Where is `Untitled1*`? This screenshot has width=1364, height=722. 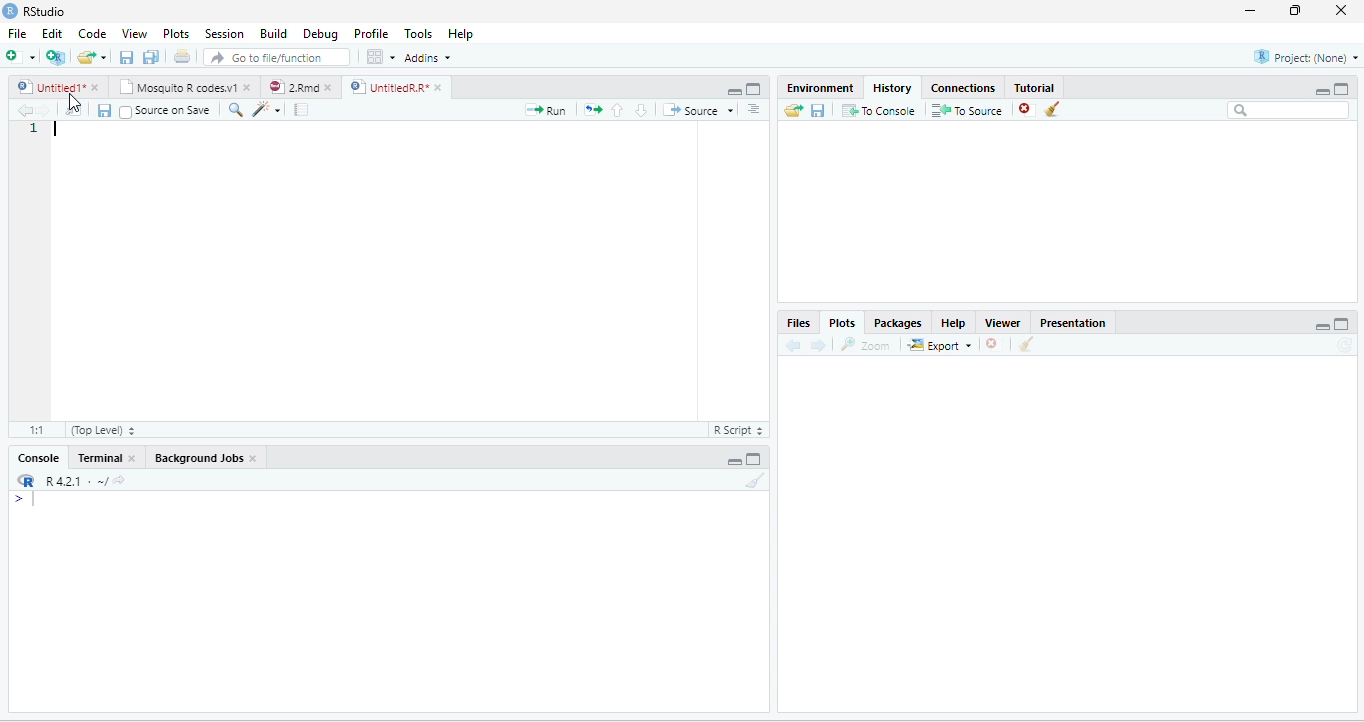 Untitled1* is located at coordinates (48, 87).